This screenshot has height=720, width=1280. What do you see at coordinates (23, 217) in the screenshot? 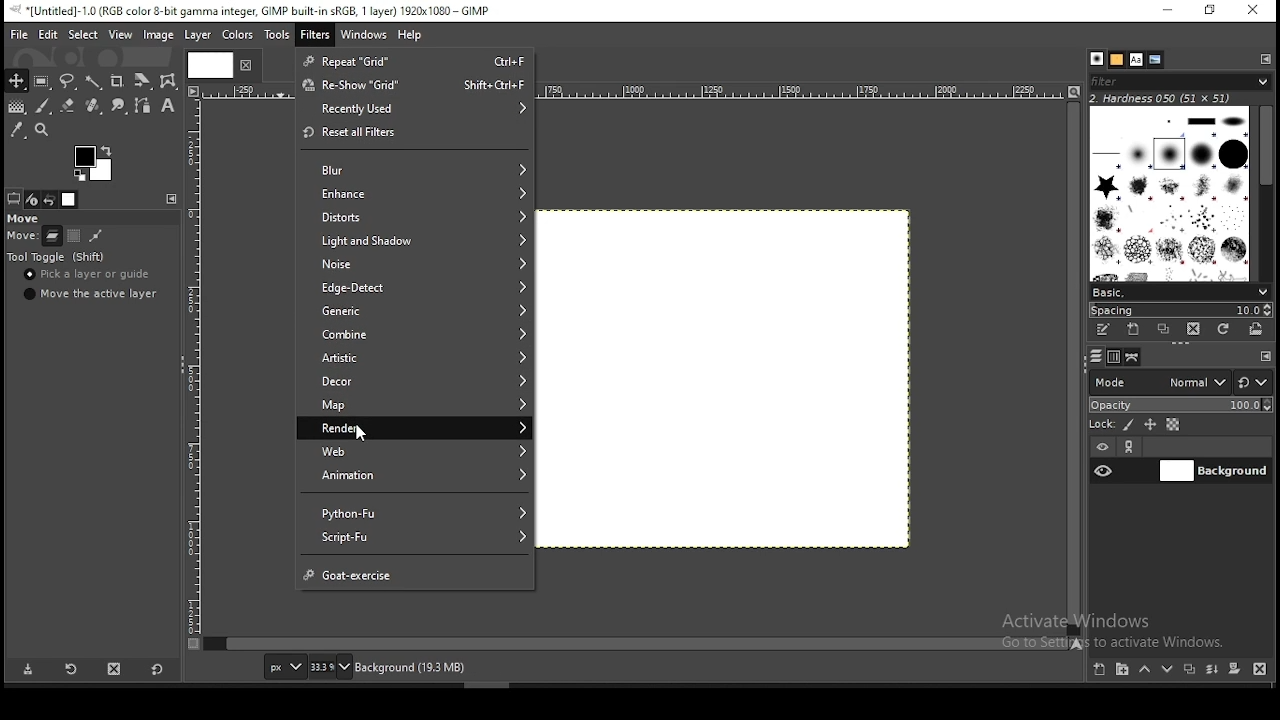
I see `move` at bounding box center [23, 217].